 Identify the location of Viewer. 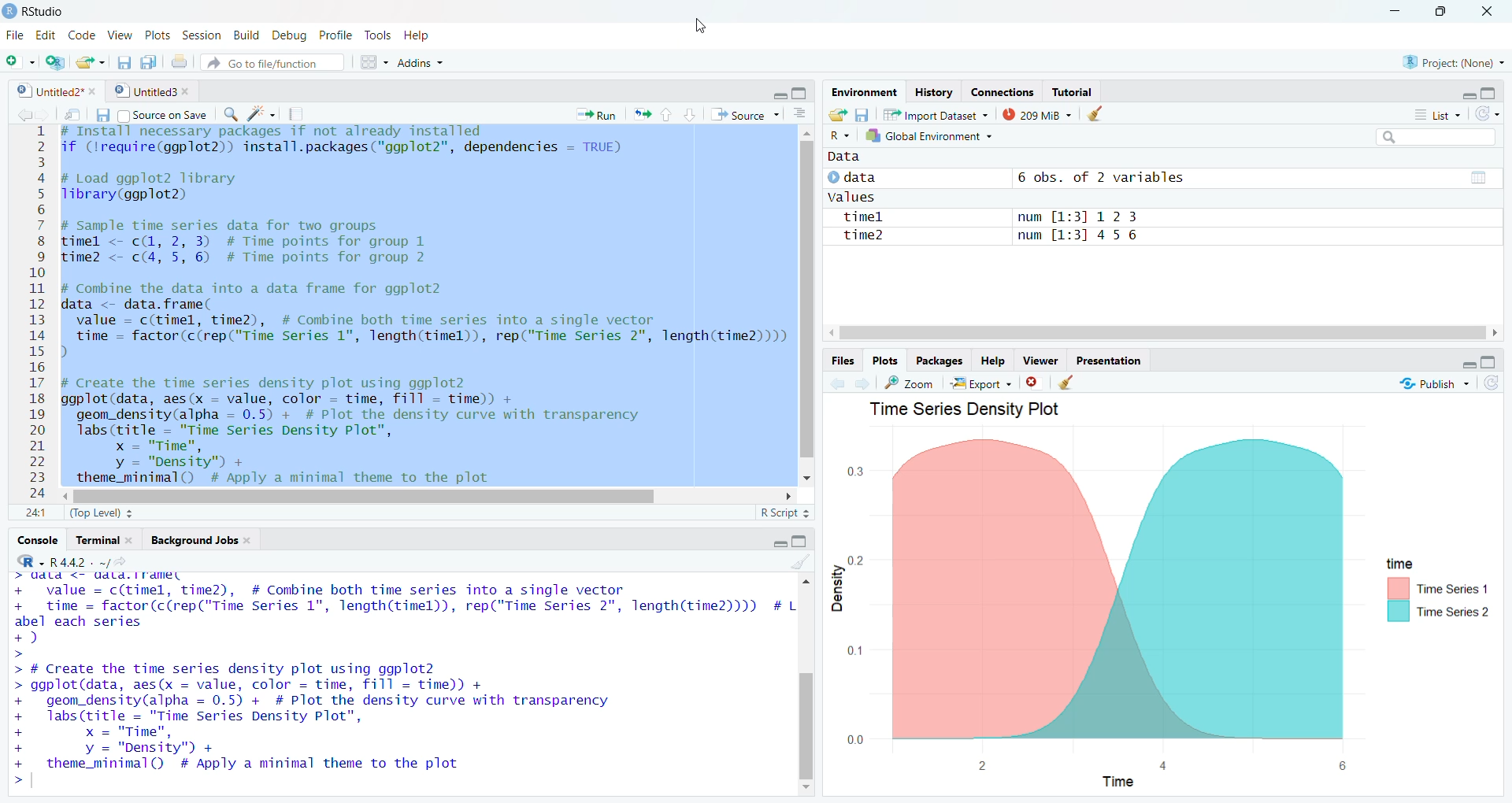
(1043, 361).